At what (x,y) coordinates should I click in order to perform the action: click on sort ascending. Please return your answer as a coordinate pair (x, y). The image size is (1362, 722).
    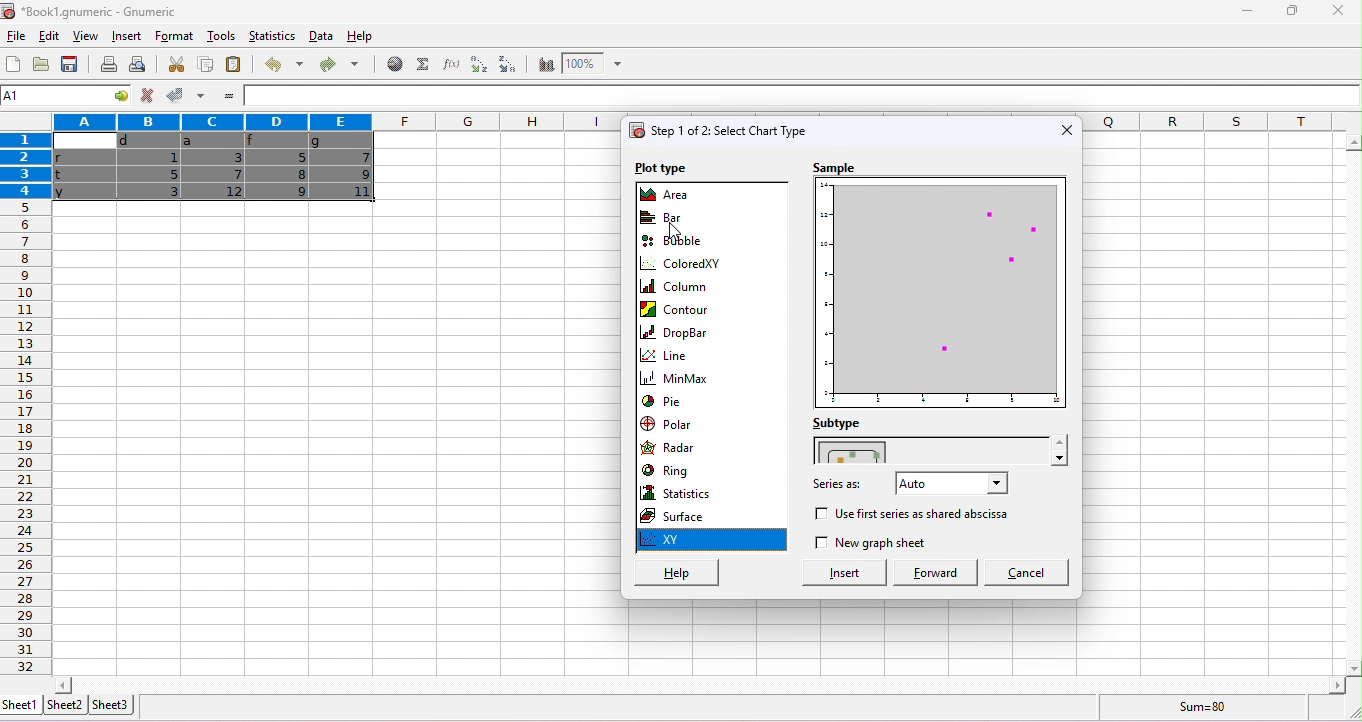
    Looking at the image, I should click on (477, 64).